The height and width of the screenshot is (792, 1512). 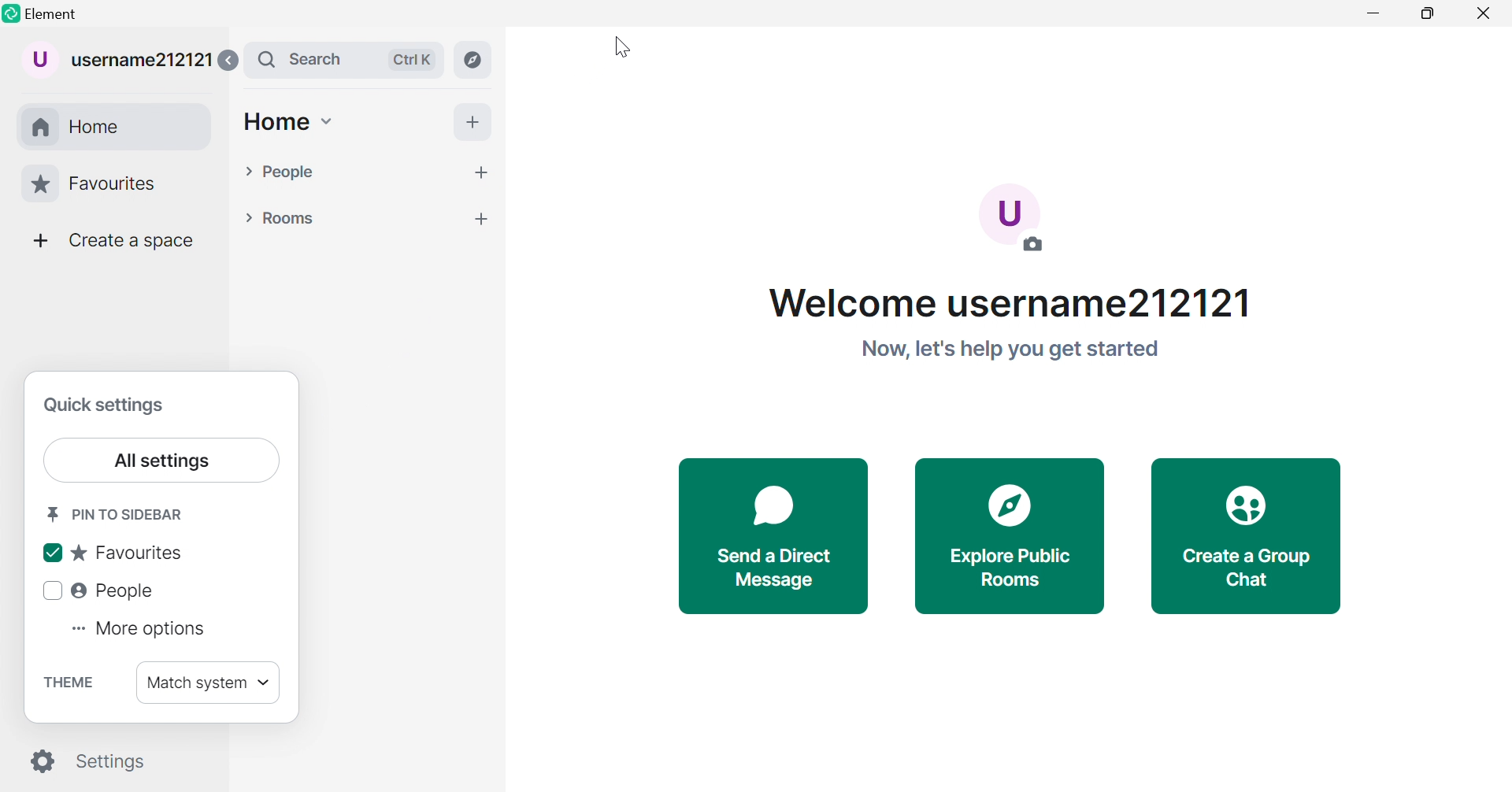 I want to click on more, so click(x=480, y=172).